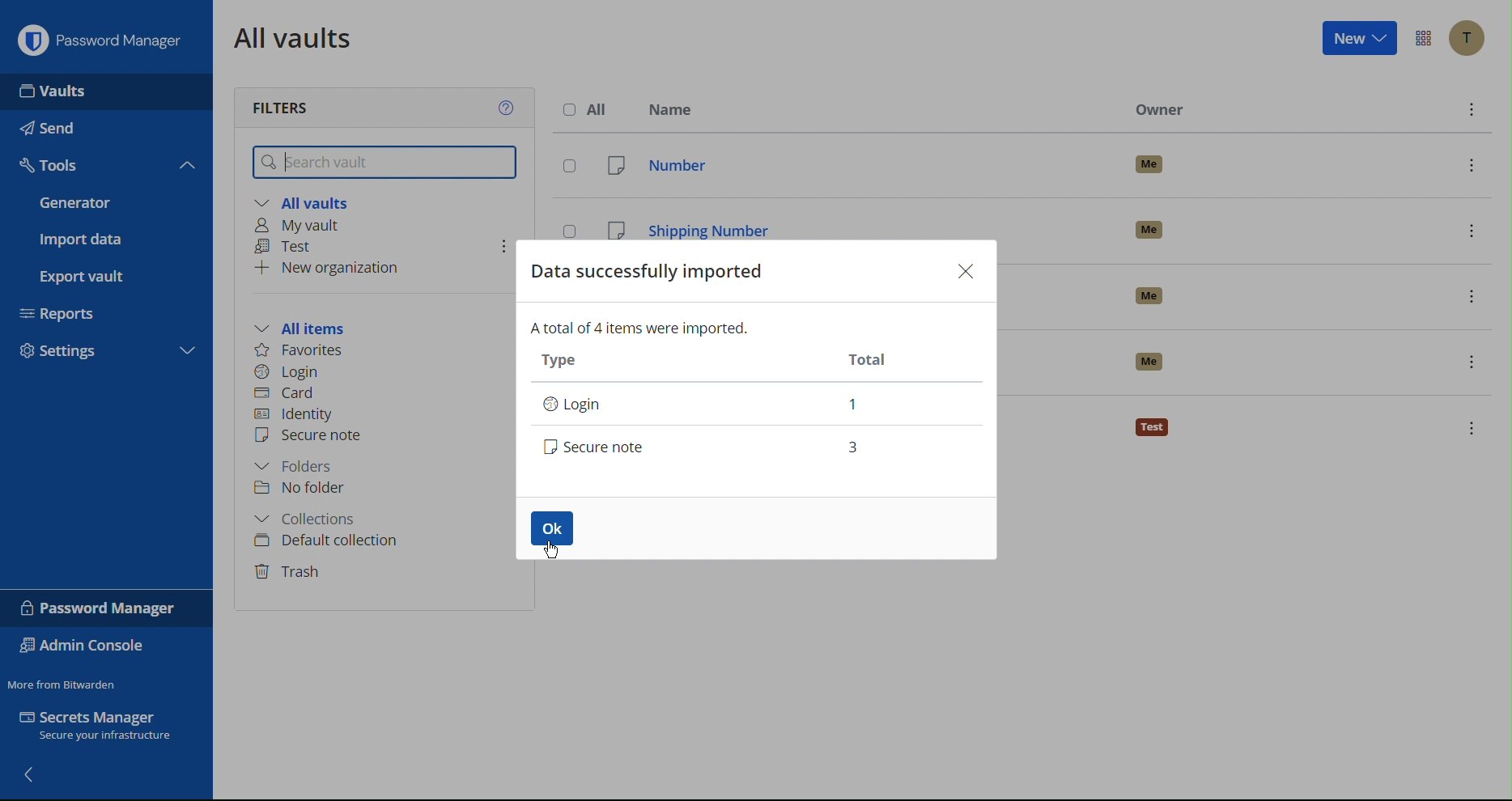 Image resolution: width=1512 pixels, height=801 pixels. Describe the element at coordinates (675, 447) in the screenshot. I see `Secure note` at that location.